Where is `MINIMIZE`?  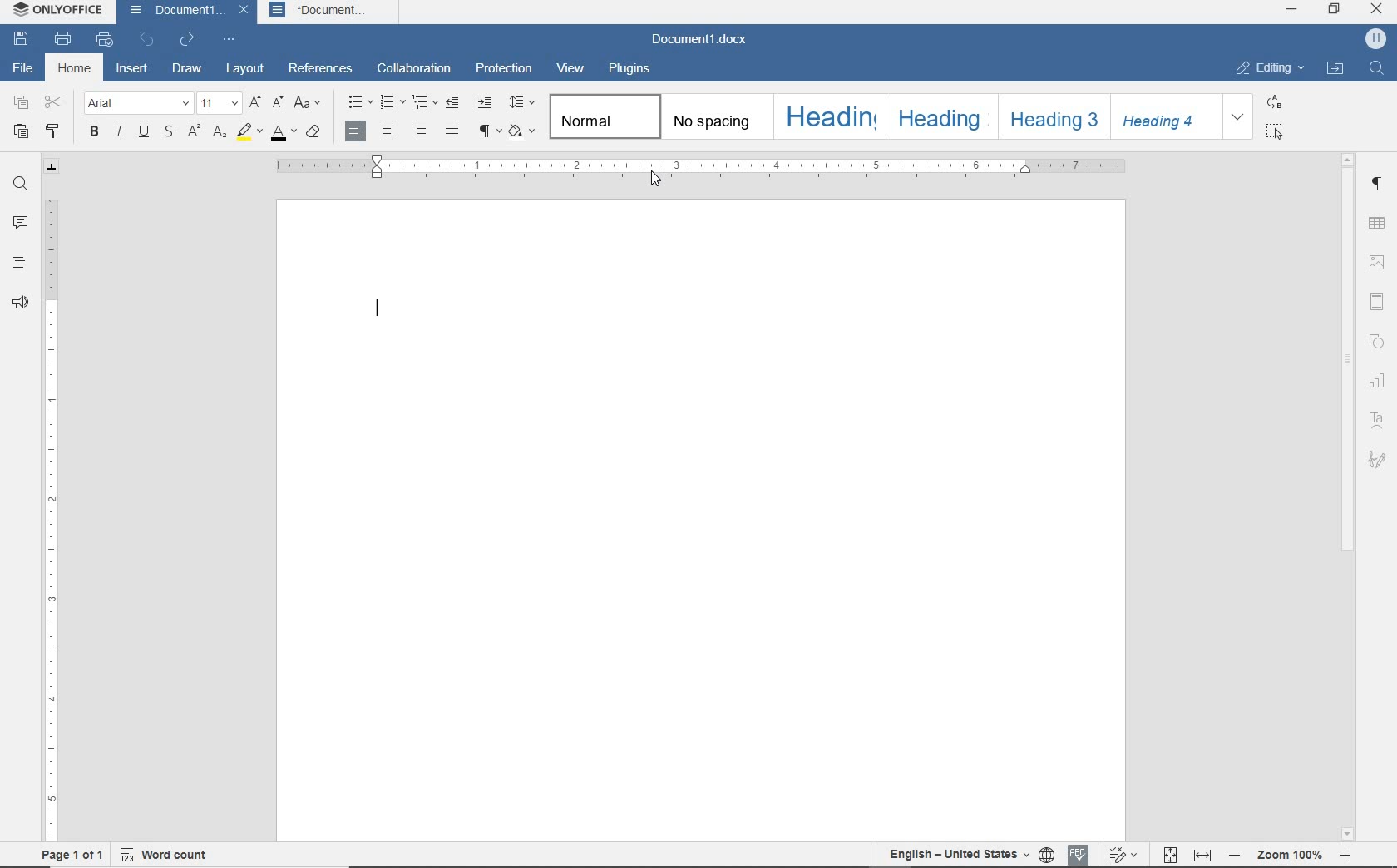 MINIMIZE is located at coordinates (1293, 9).